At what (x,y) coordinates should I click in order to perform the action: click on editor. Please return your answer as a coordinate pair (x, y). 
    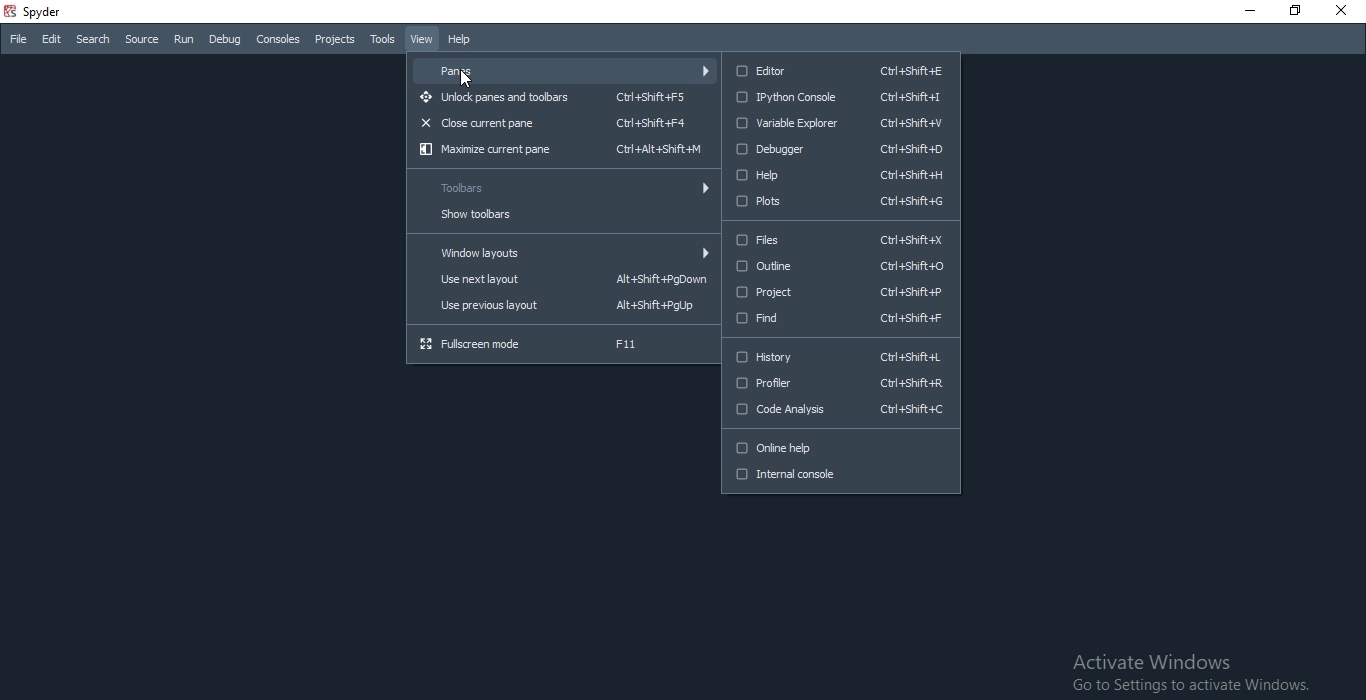
    Looking at the image, I should click on (841, 69).